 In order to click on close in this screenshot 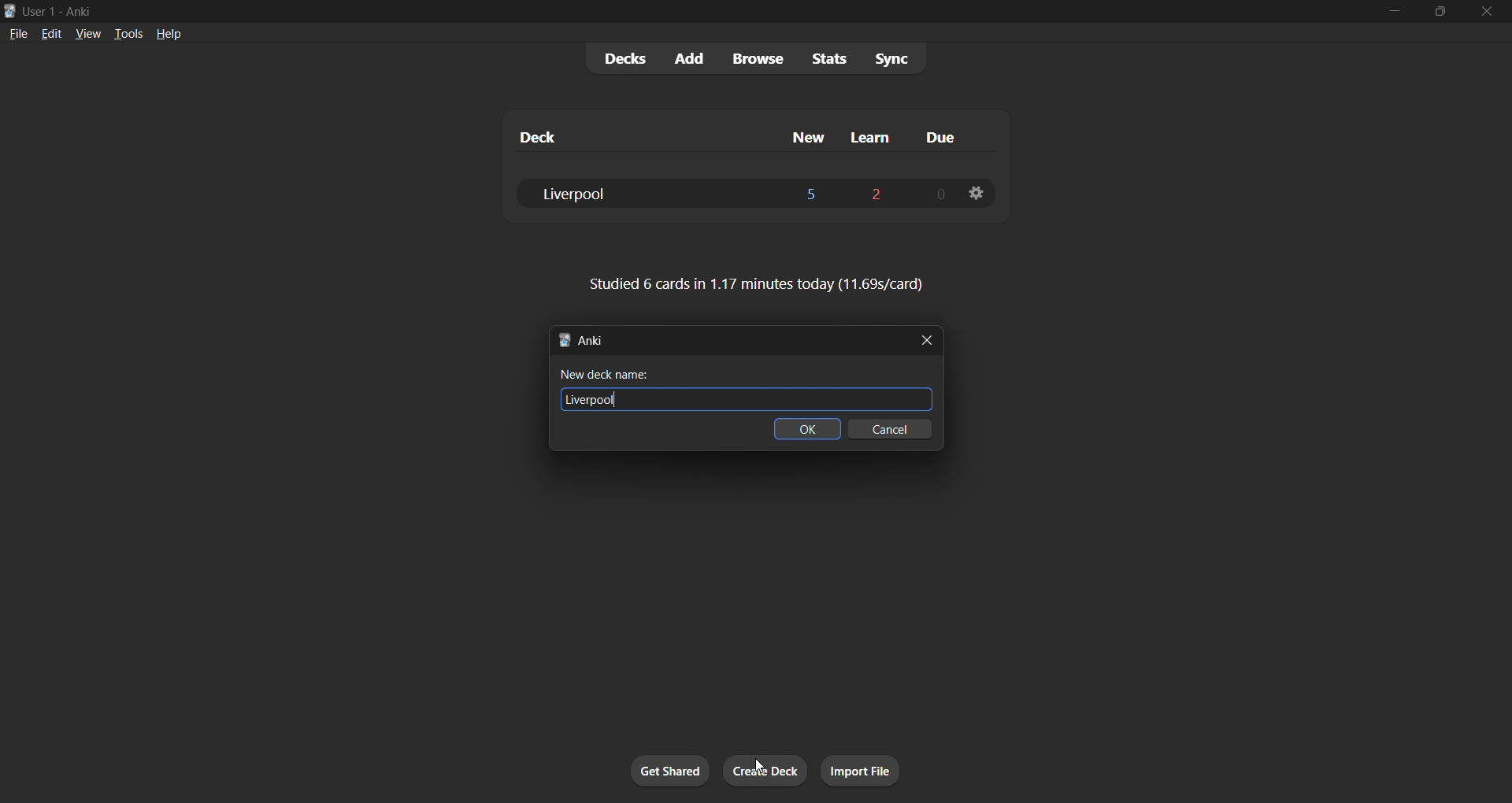, I will do `click(929, 340)`.